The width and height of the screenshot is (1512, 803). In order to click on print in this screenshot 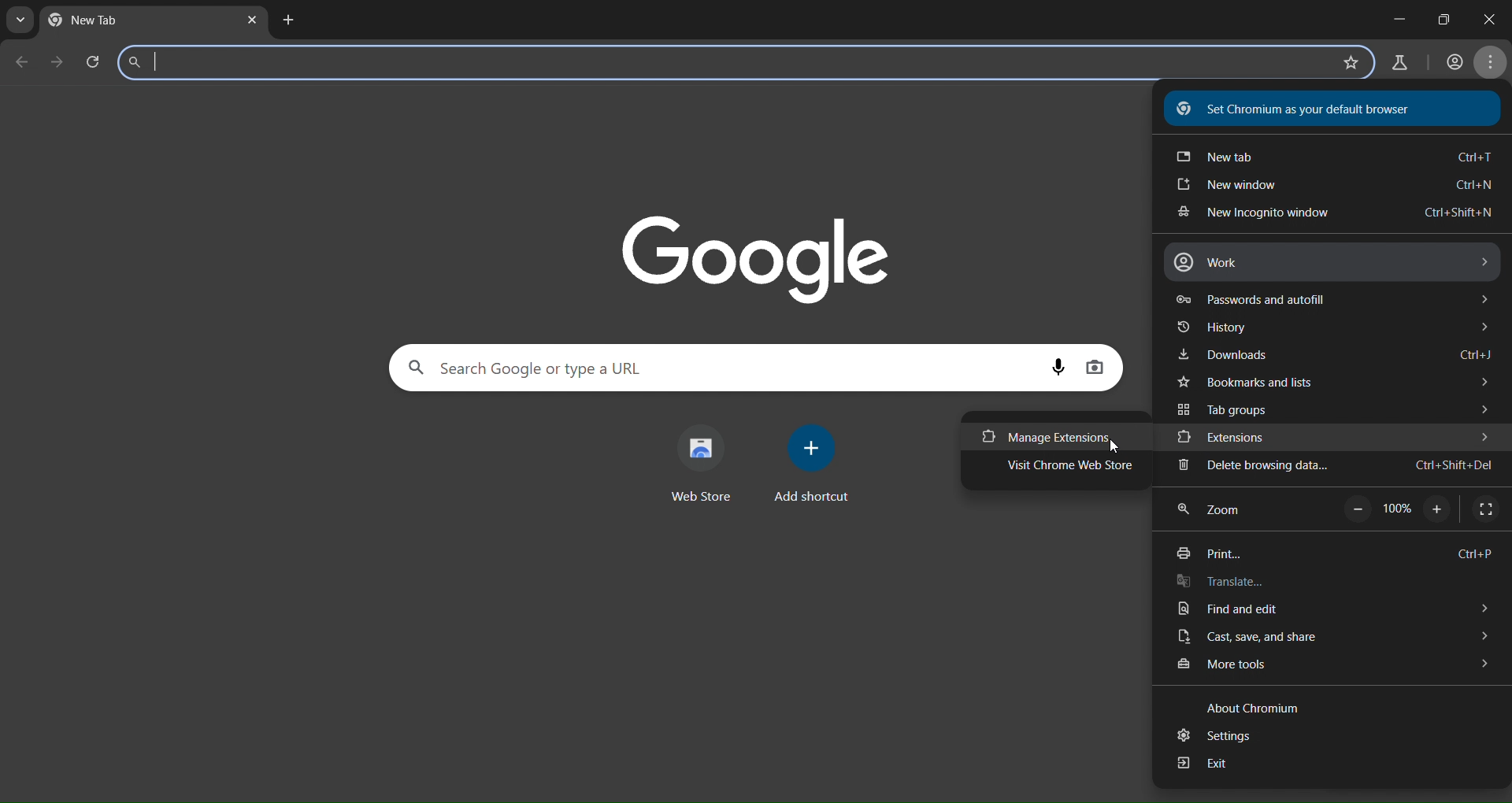, I will do `click(1338, 551)`.